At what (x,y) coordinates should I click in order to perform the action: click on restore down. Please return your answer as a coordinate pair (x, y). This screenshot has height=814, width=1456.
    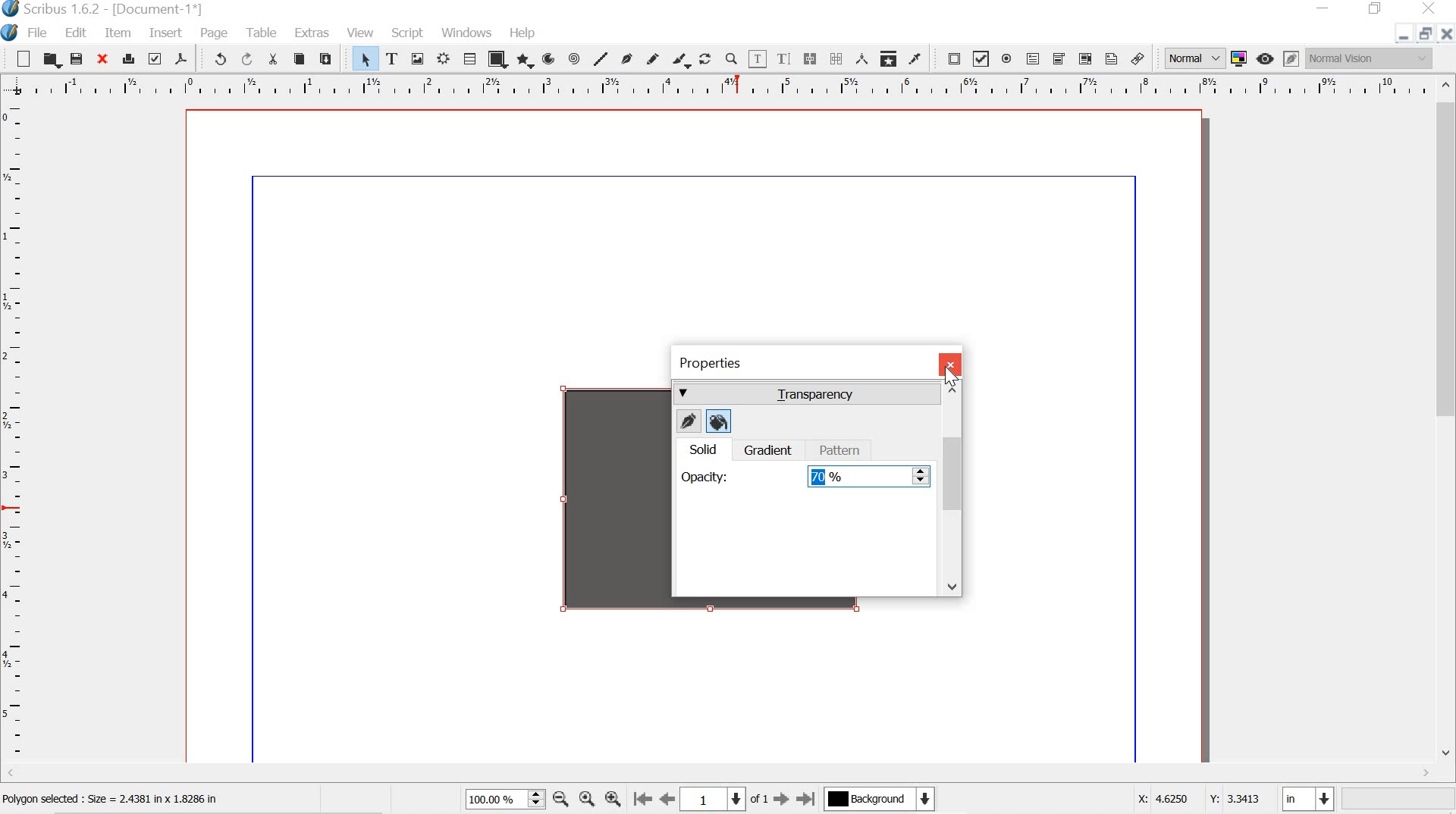
    Looking at the image, I should click on (1423, 33).